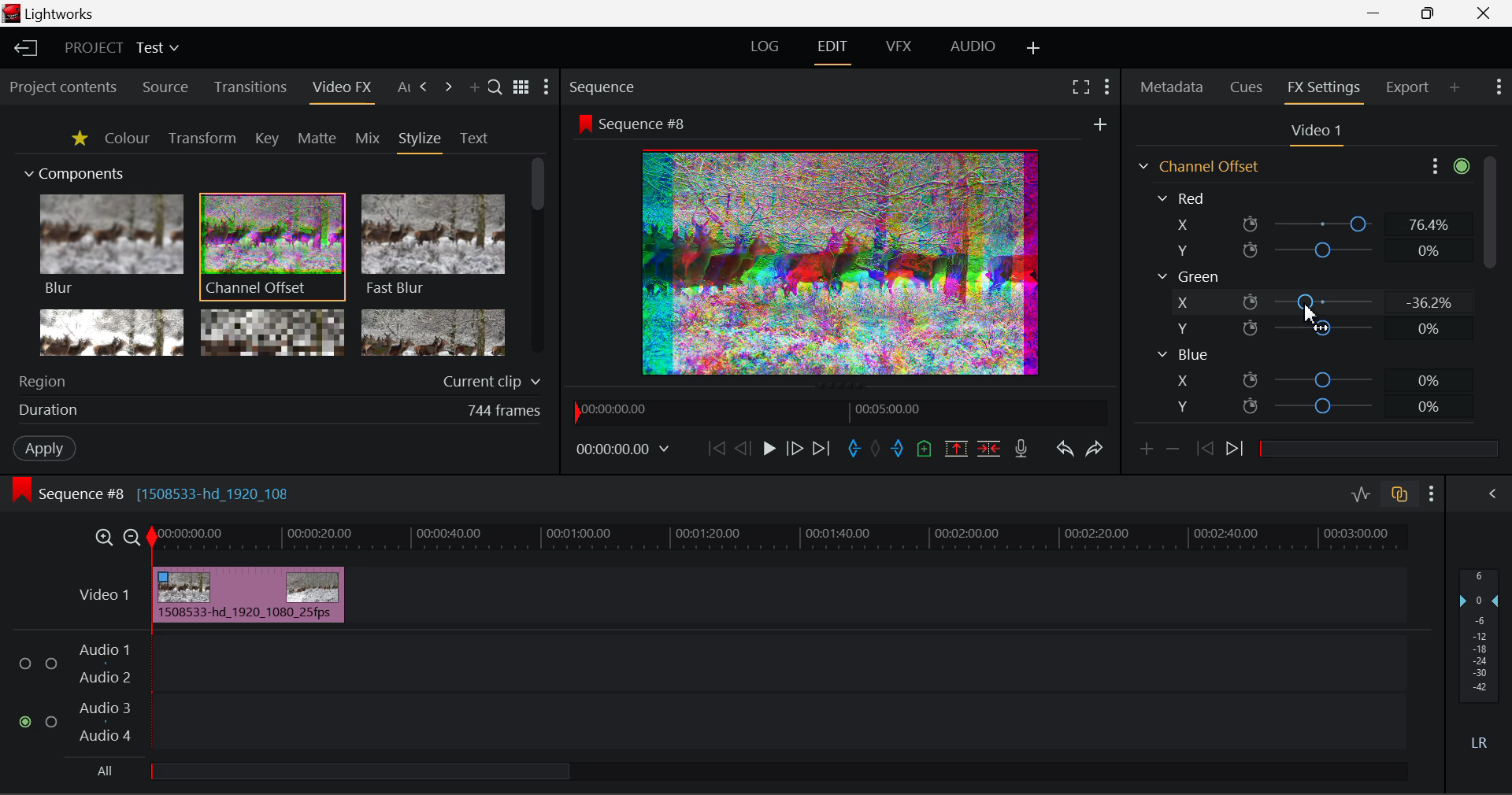 Image resolution: width=1512 pixels, height=795 pixels. I want to click on Play, so click(767, 449).